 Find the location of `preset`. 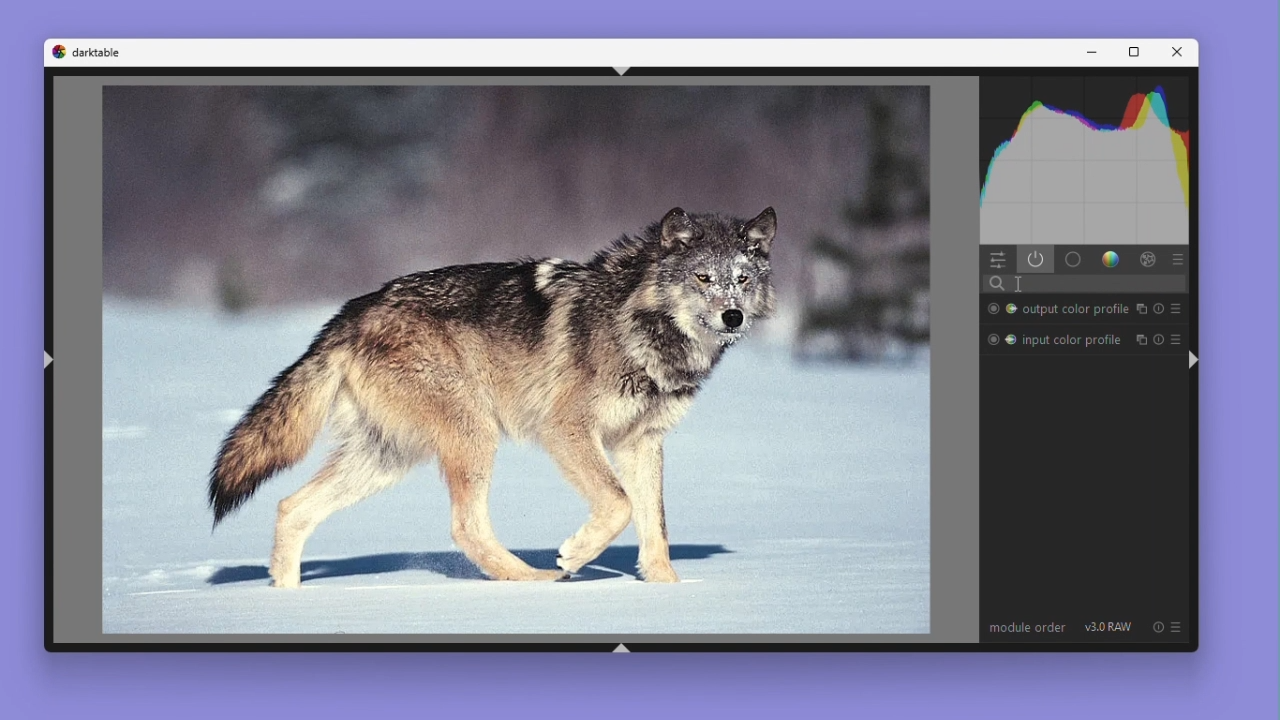

preset is located at coordinates (1176, 627).